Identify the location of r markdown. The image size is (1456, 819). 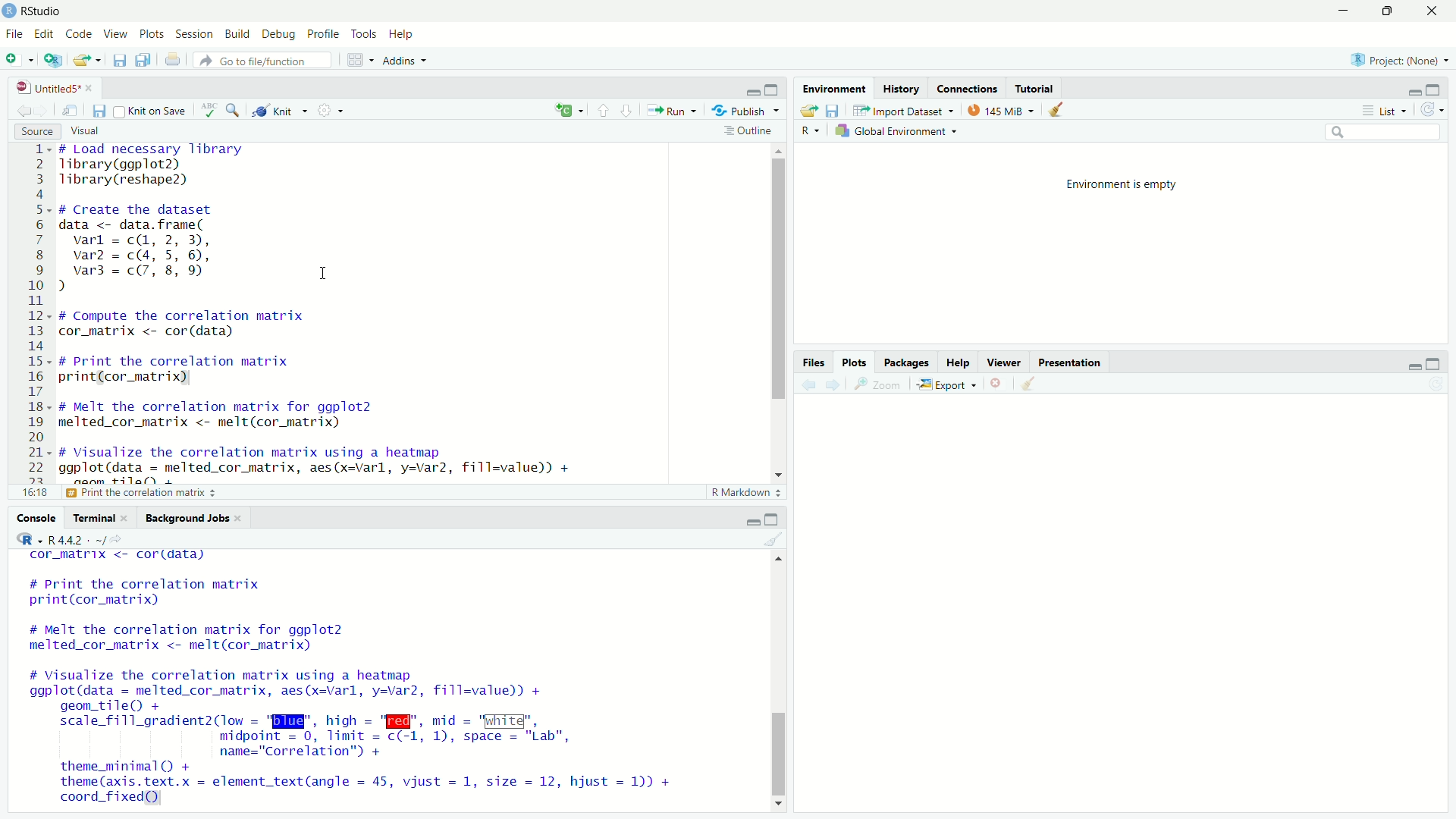
(748, 493).